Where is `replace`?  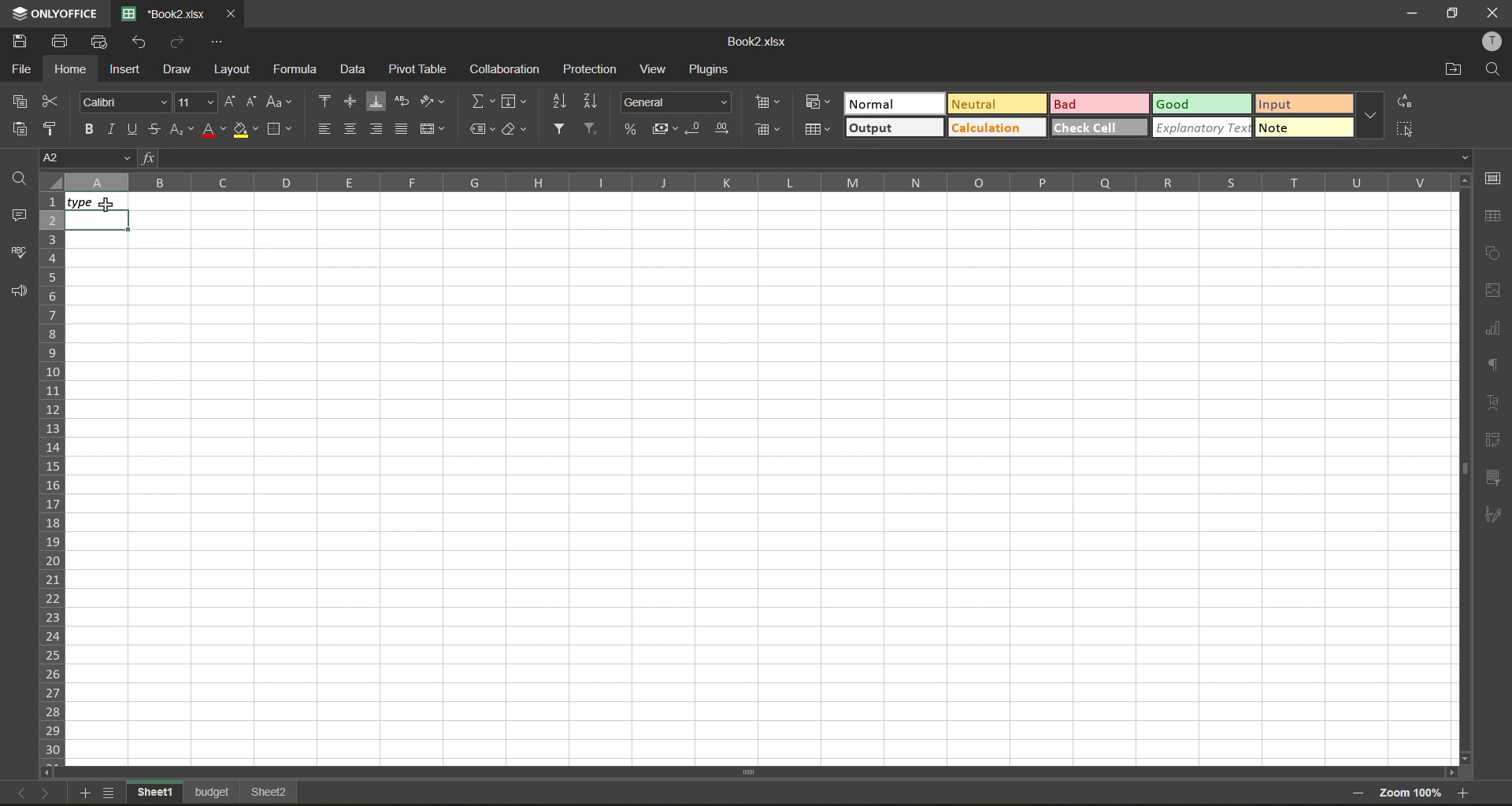
replace is located at coordinates (1407, 102).